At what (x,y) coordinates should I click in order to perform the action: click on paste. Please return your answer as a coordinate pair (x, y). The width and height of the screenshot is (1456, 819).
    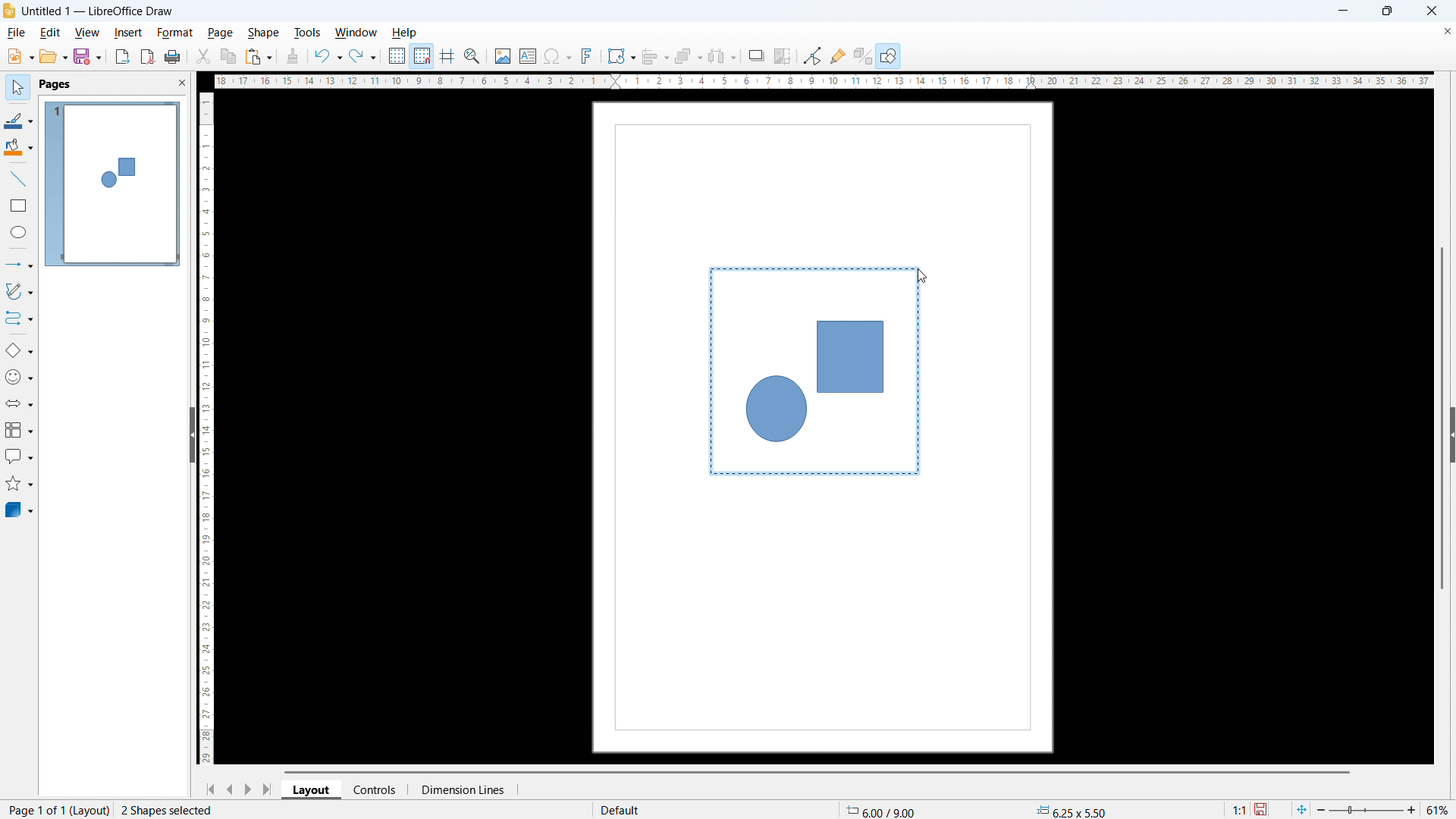
    Looking at the image, I should click on (260, 57).